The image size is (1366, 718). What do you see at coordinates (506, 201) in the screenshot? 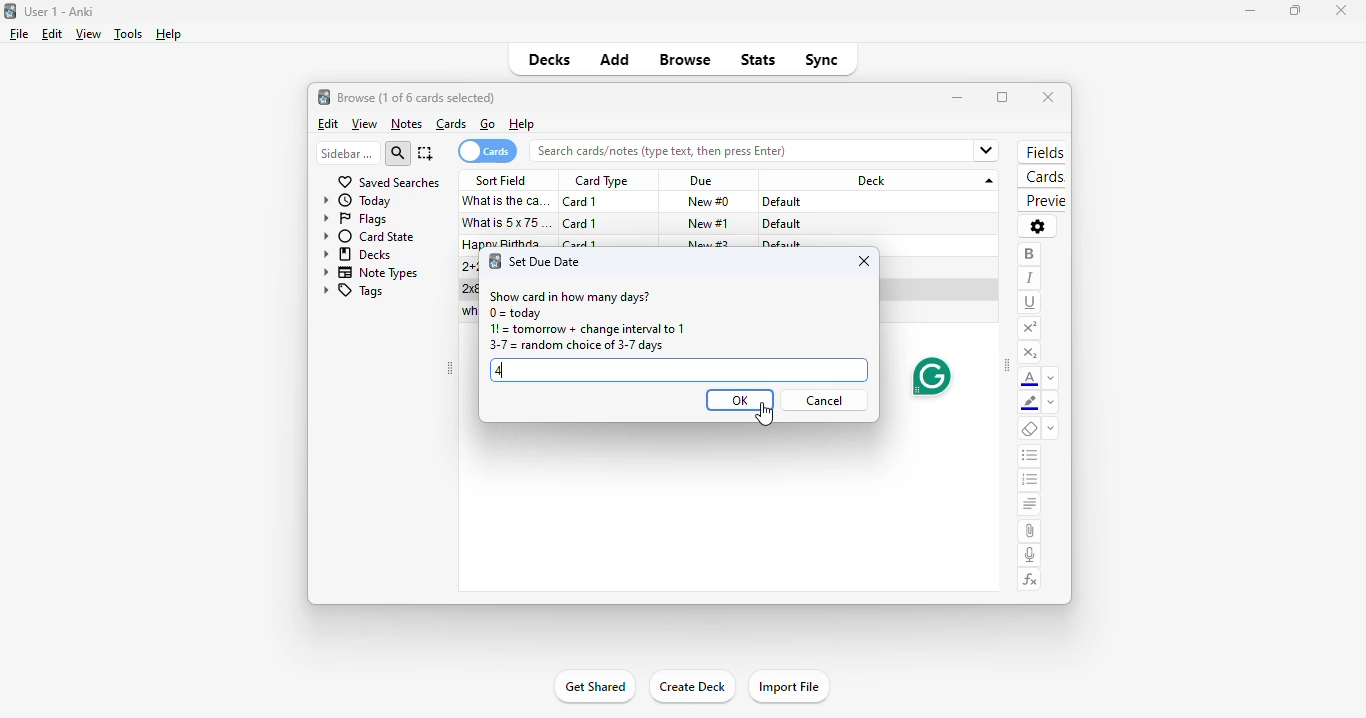
I see `what is the capital of France?` at bounding box center [506, 201].